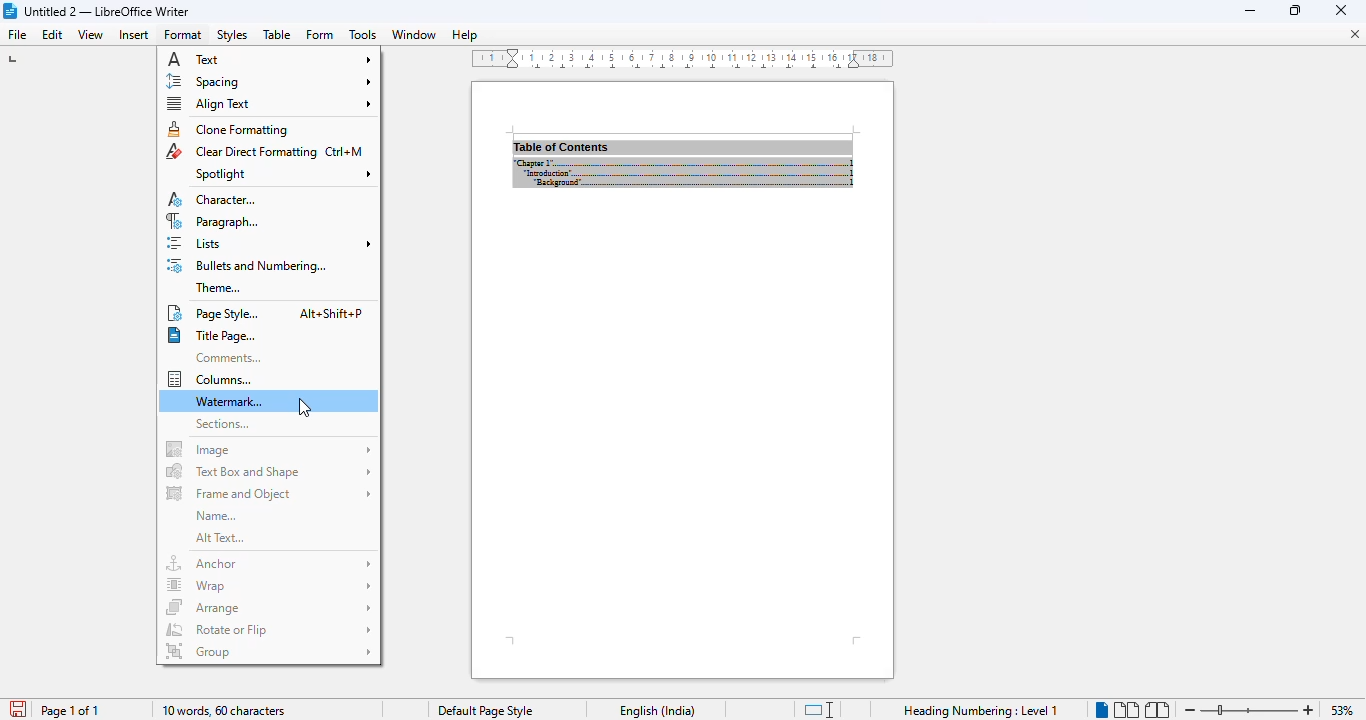 Image resolution: width=1366 pixels, height=720 pixels. What do you see at coordinates (1355, 37) in the screenshot?
I see `close` at bounding box center [1355, 37].